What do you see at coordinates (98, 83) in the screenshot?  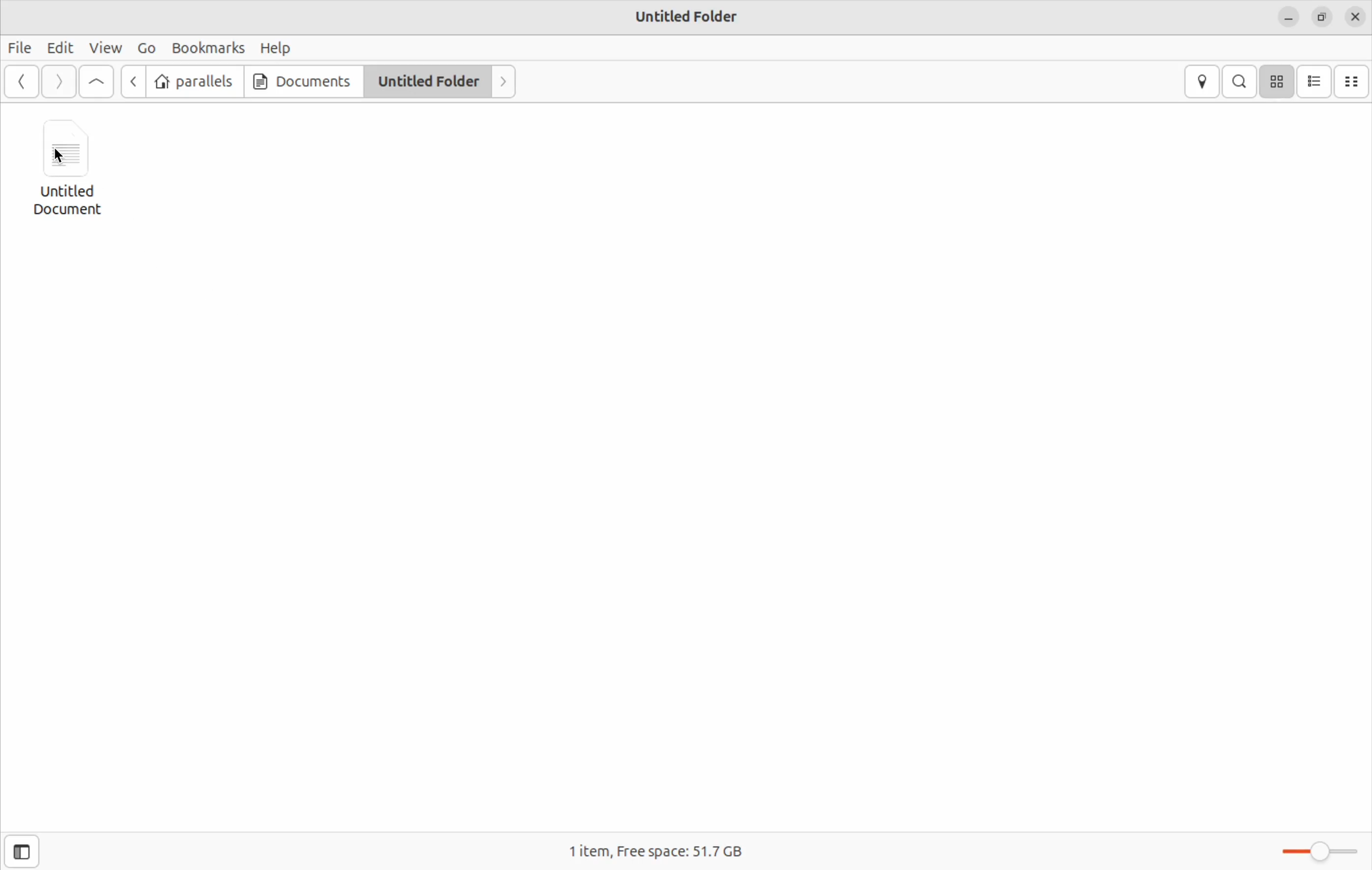 I see `Go up` at bounding box center [98, 83].